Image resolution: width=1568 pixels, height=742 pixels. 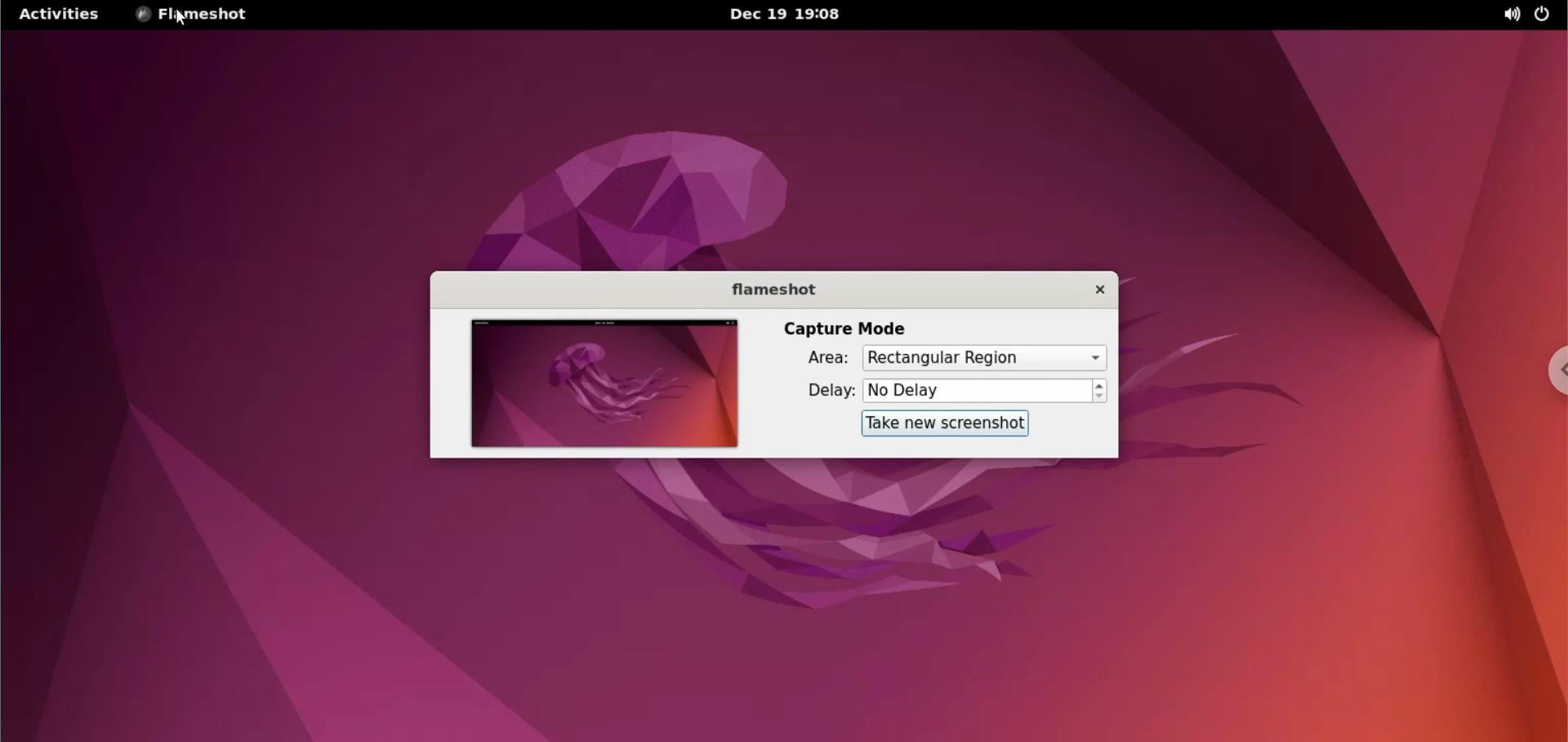 What do you see at coordinates (1508, 15) in the screenshot?
I see `sound options` at bounding box center [1508, 15].